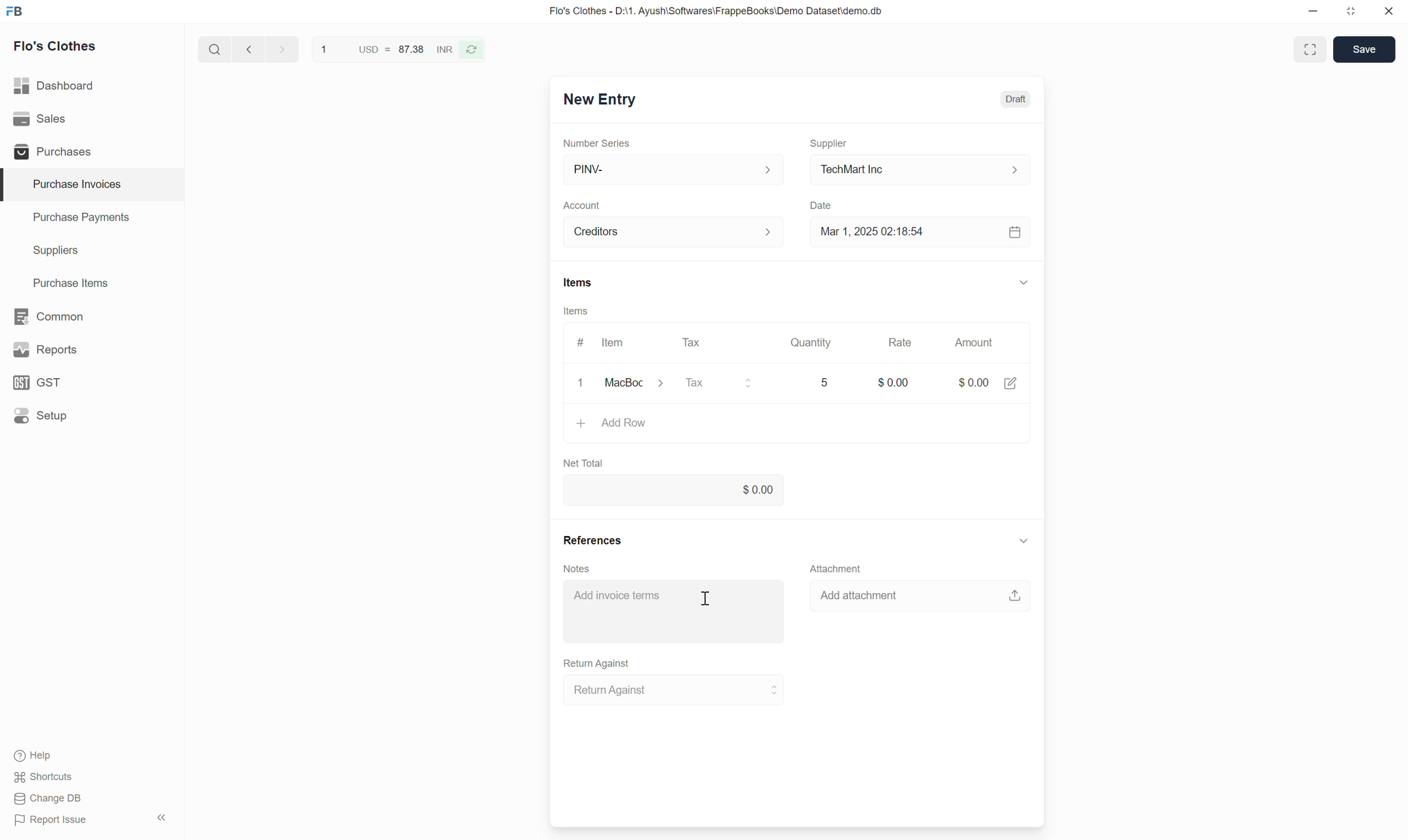 This screenshot has height=840, width=1408. What do you see at coordinates (55, 46) in the screenshot?
I see `Flo's Clothes` at bounding box center [55, 46].